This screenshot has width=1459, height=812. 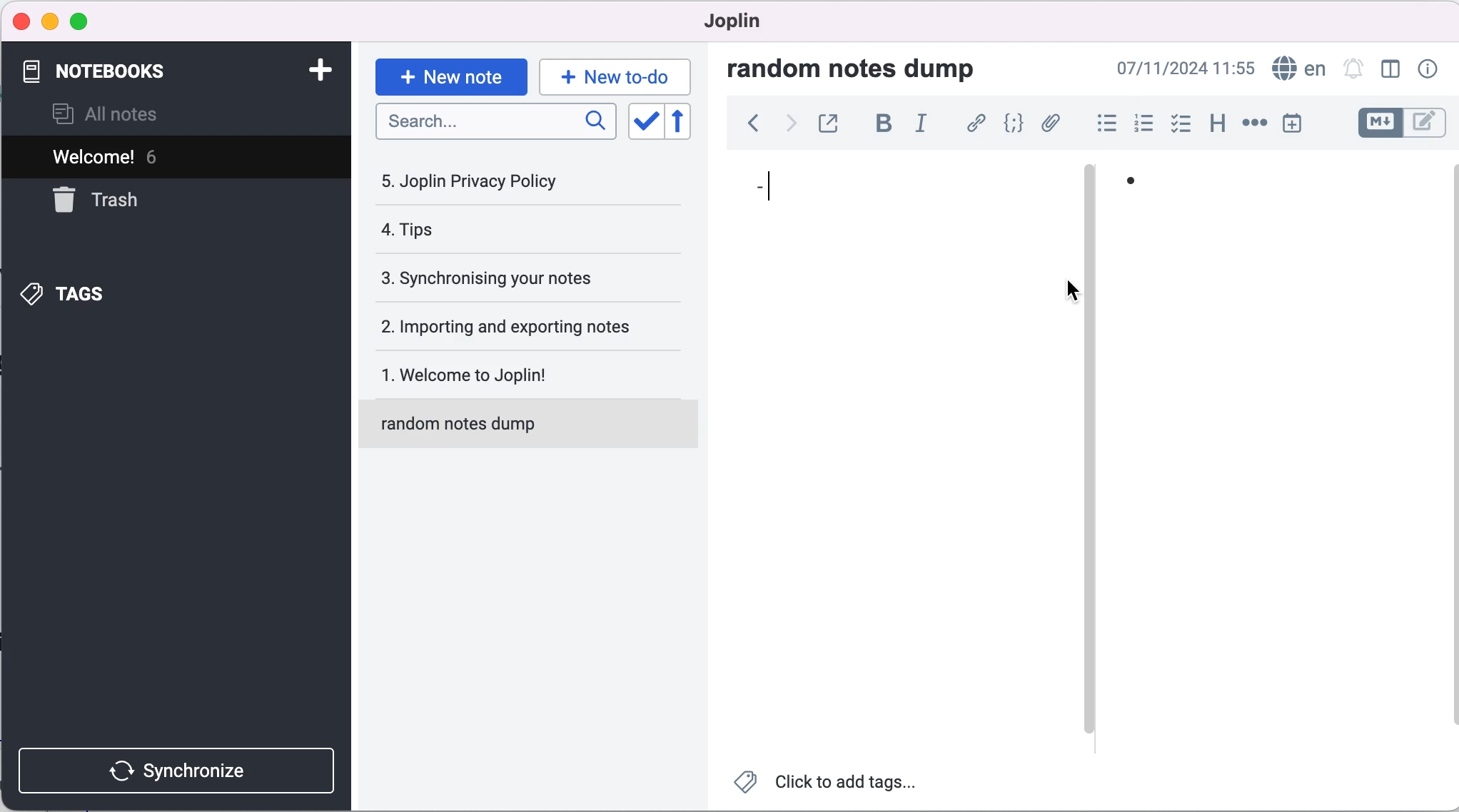 I want to click on random notes dump, so click(x=865, y=68).